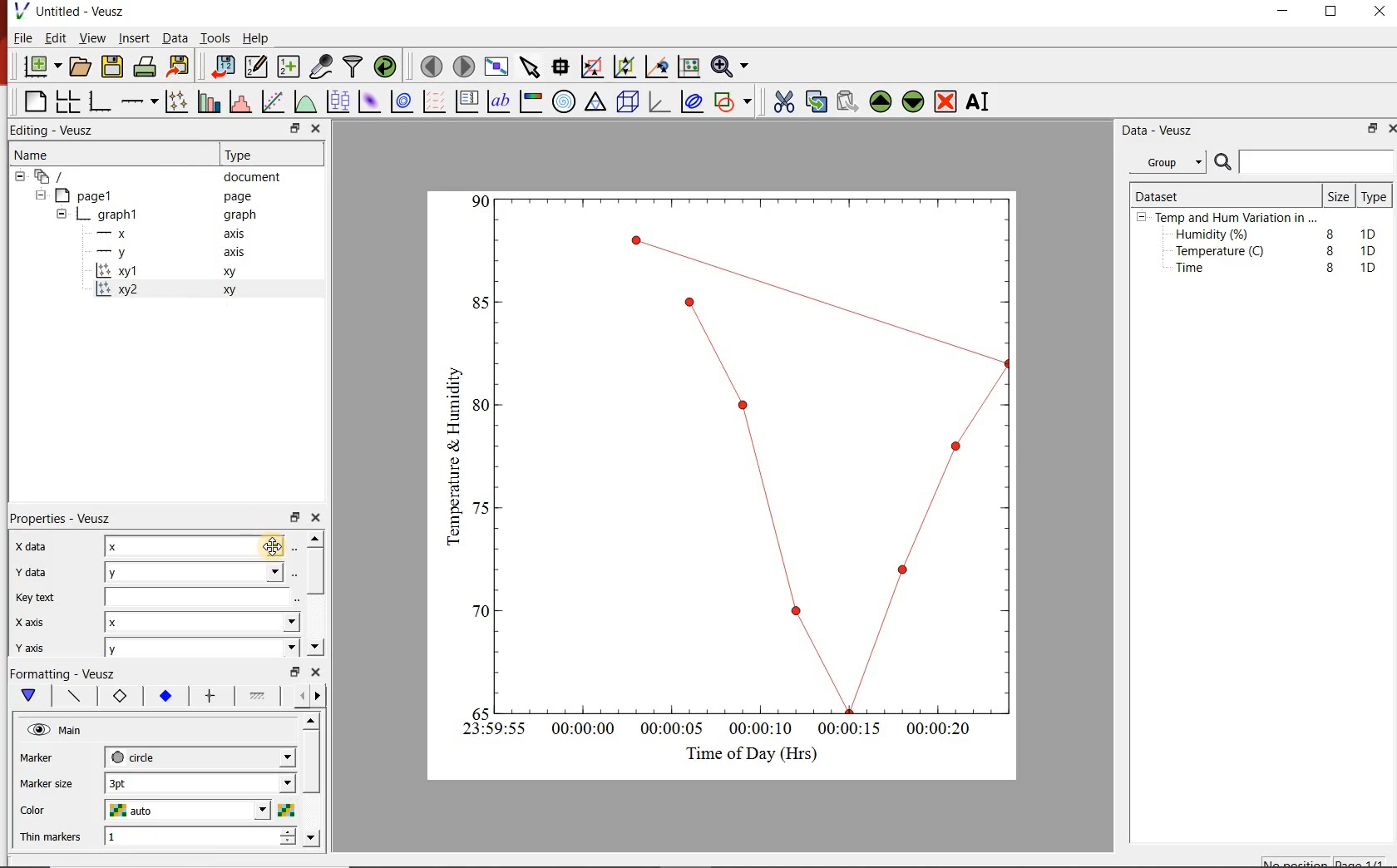  I want to click on x axis, so click(40, 621).